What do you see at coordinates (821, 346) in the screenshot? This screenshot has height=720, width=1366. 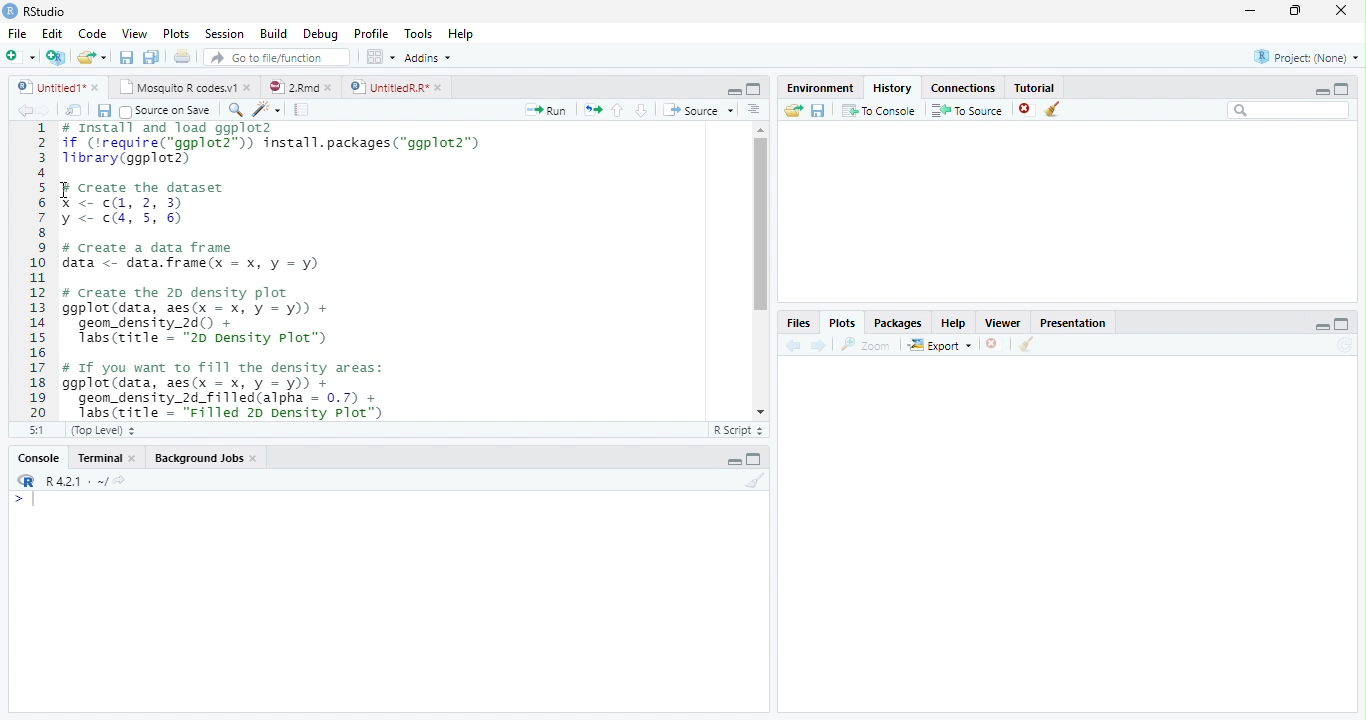 I see `next` at bounding box center [821, 346].